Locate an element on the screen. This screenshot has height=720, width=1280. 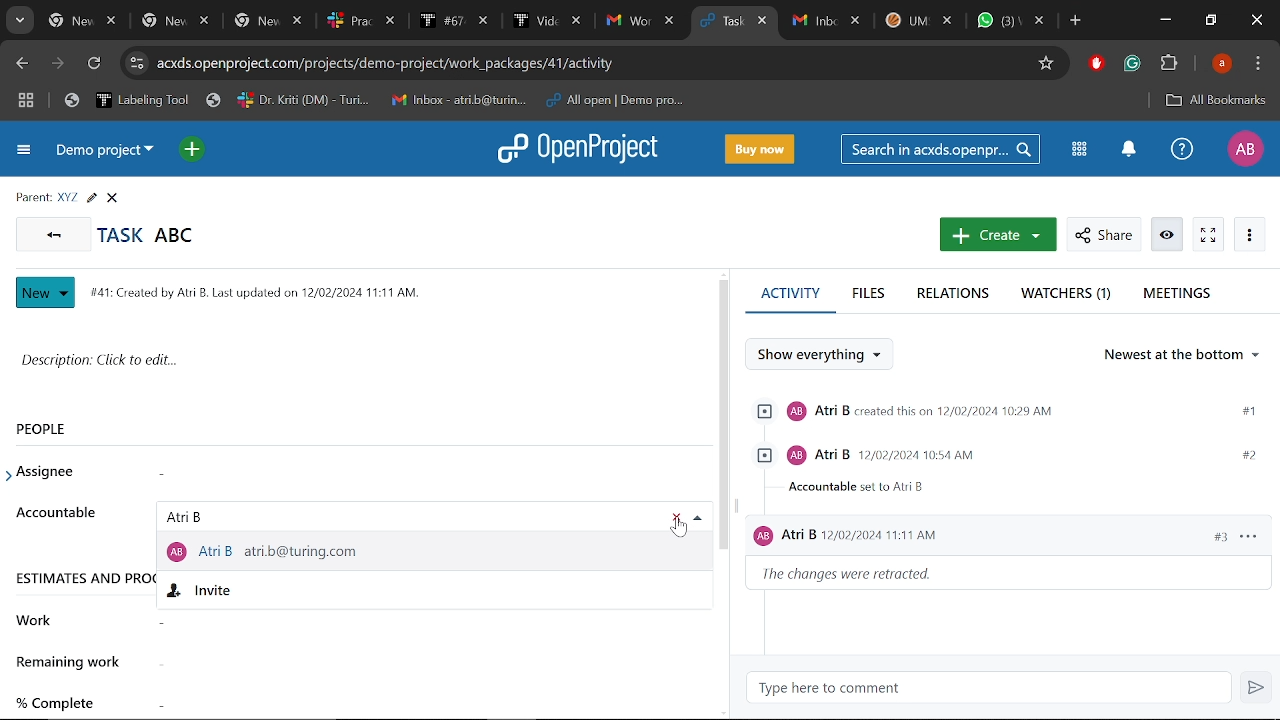
arrow head is located at coordinates (12, 476).